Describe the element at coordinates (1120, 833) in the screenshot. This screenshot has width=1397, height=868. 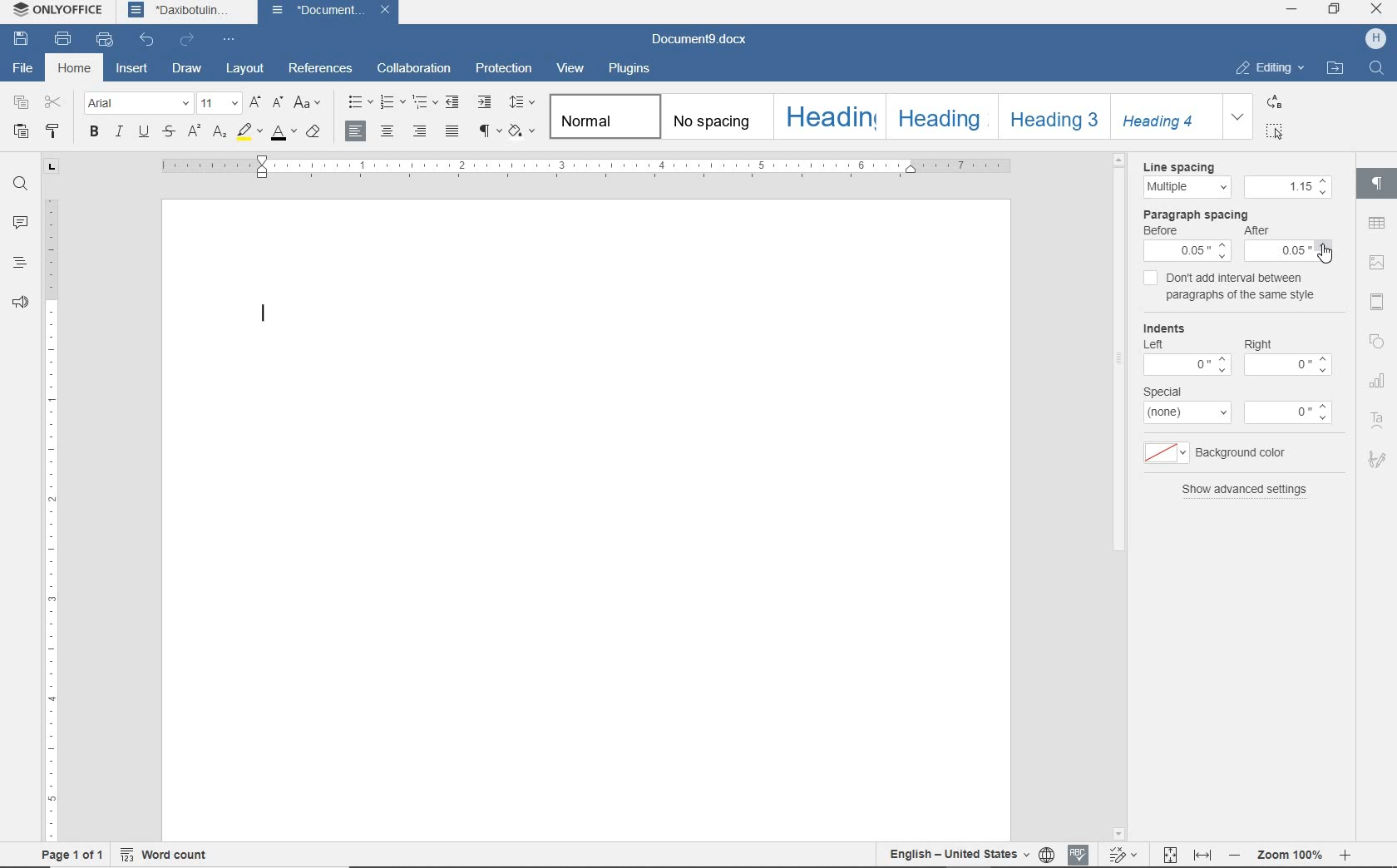
I see `scroll down` at that location.